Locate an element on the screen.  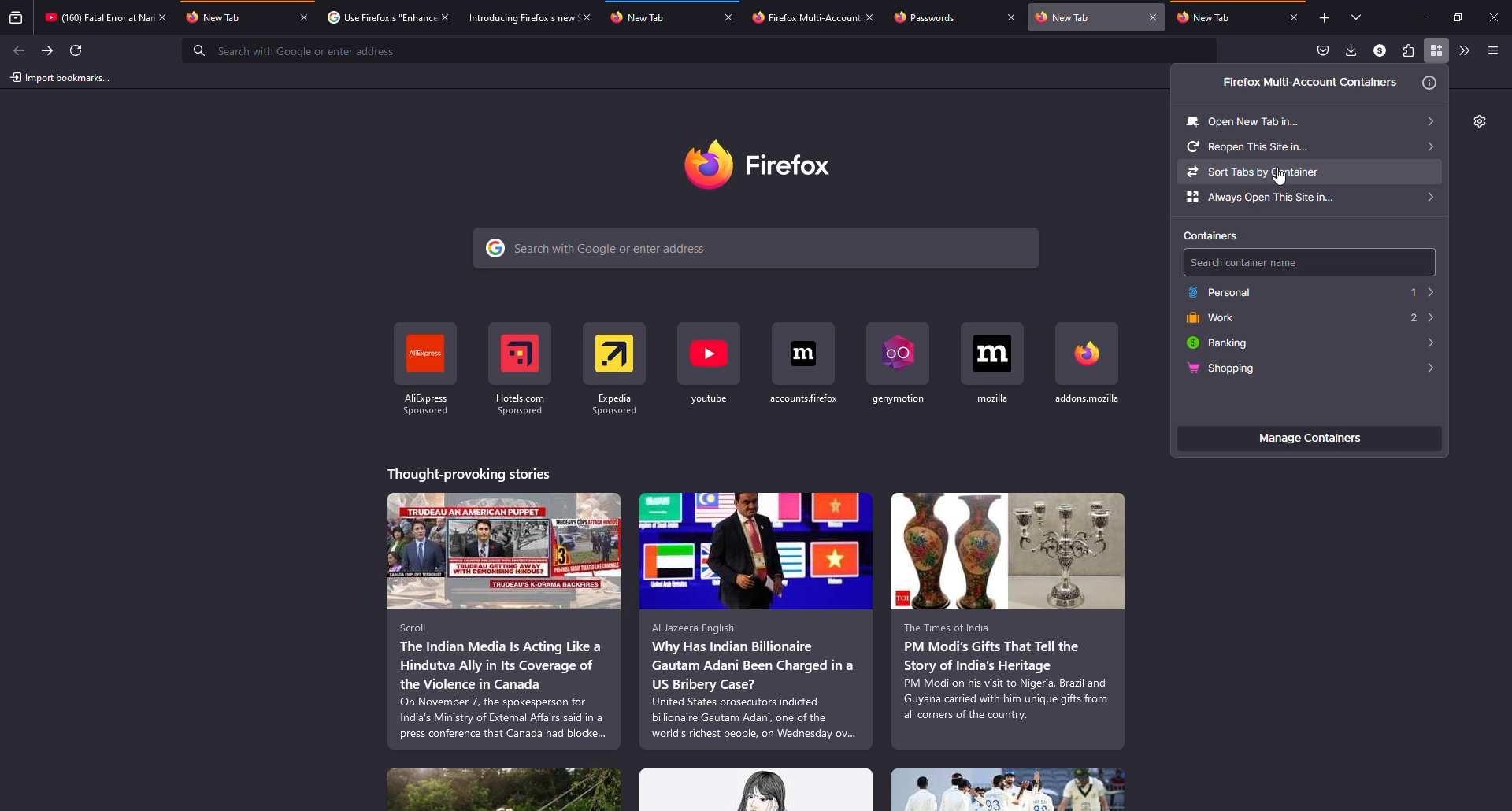
shortcut is located at coordinates (426, 367).